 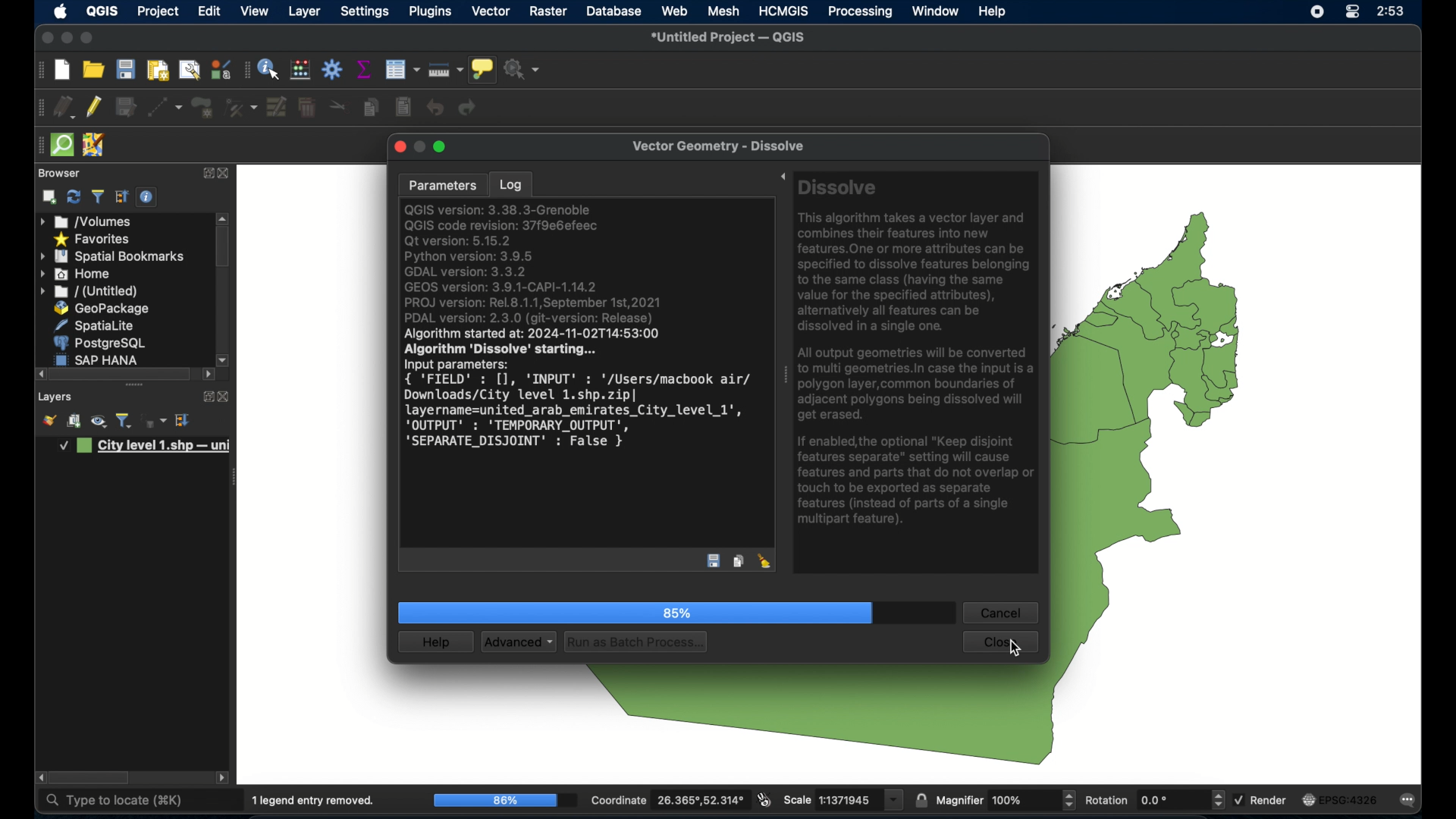 What do you see at coordinates (49, 422) in the screenshot?
I see `open layer styling panel` at bounding box center [49, 422].